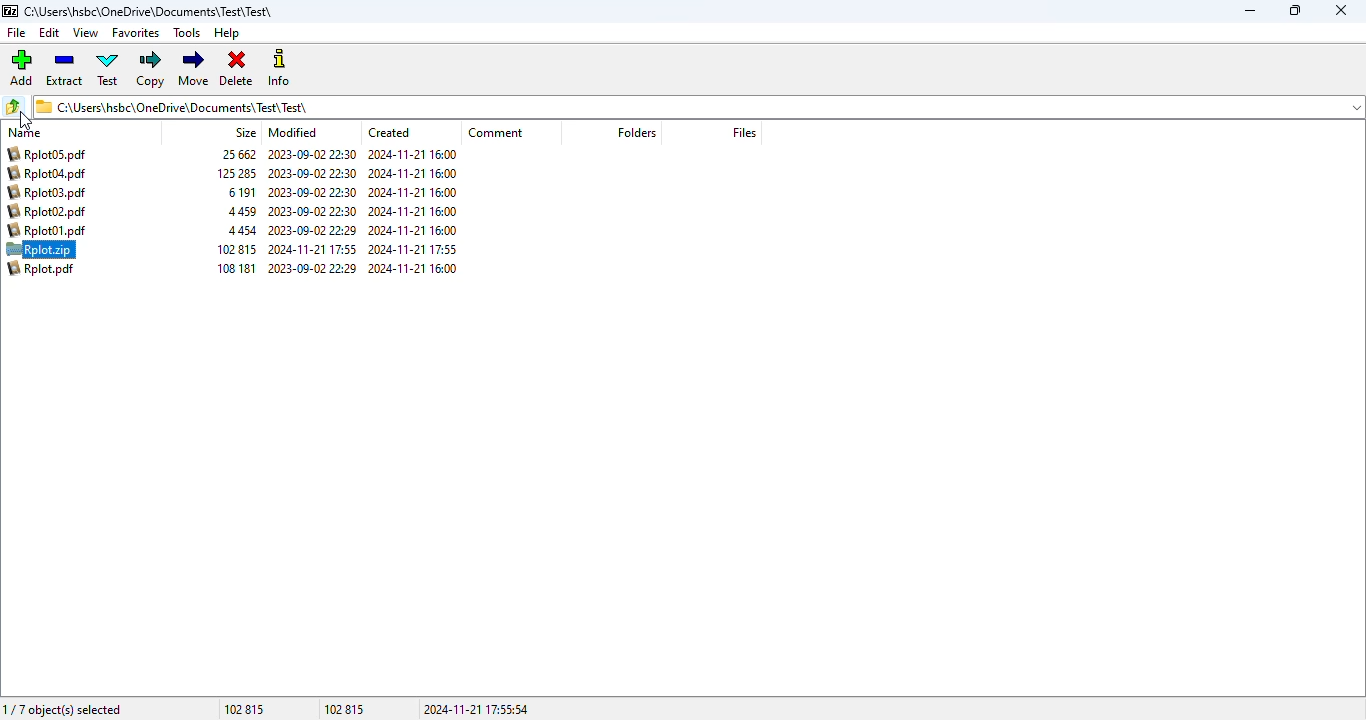 The width and height of the screenshot is (1366, 720). I want to click on extract, so click(64, 69).